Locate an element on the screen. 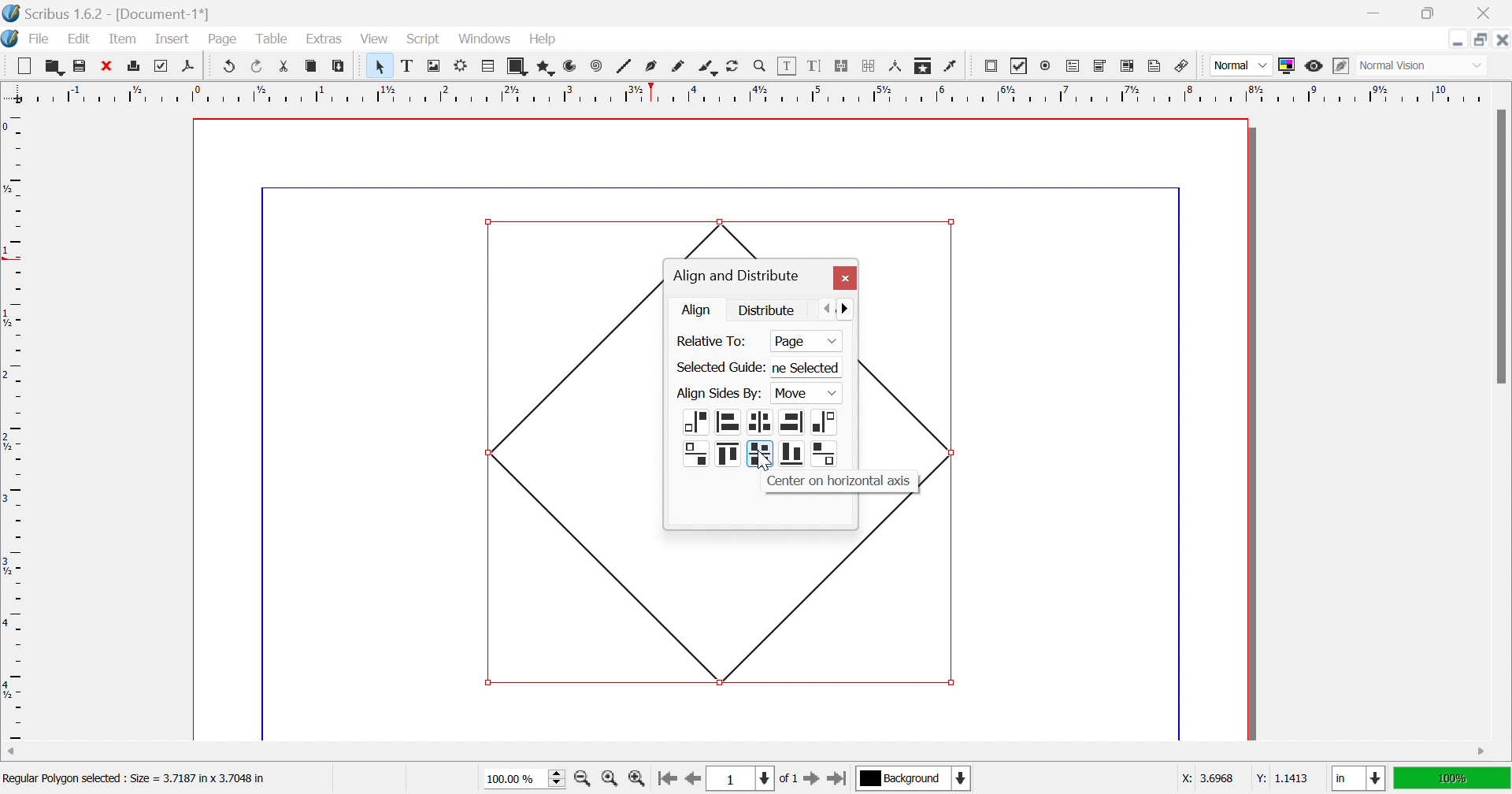 The width and height of the screenshot is (1512, 794). Insert is located at coordinates (172, 38).